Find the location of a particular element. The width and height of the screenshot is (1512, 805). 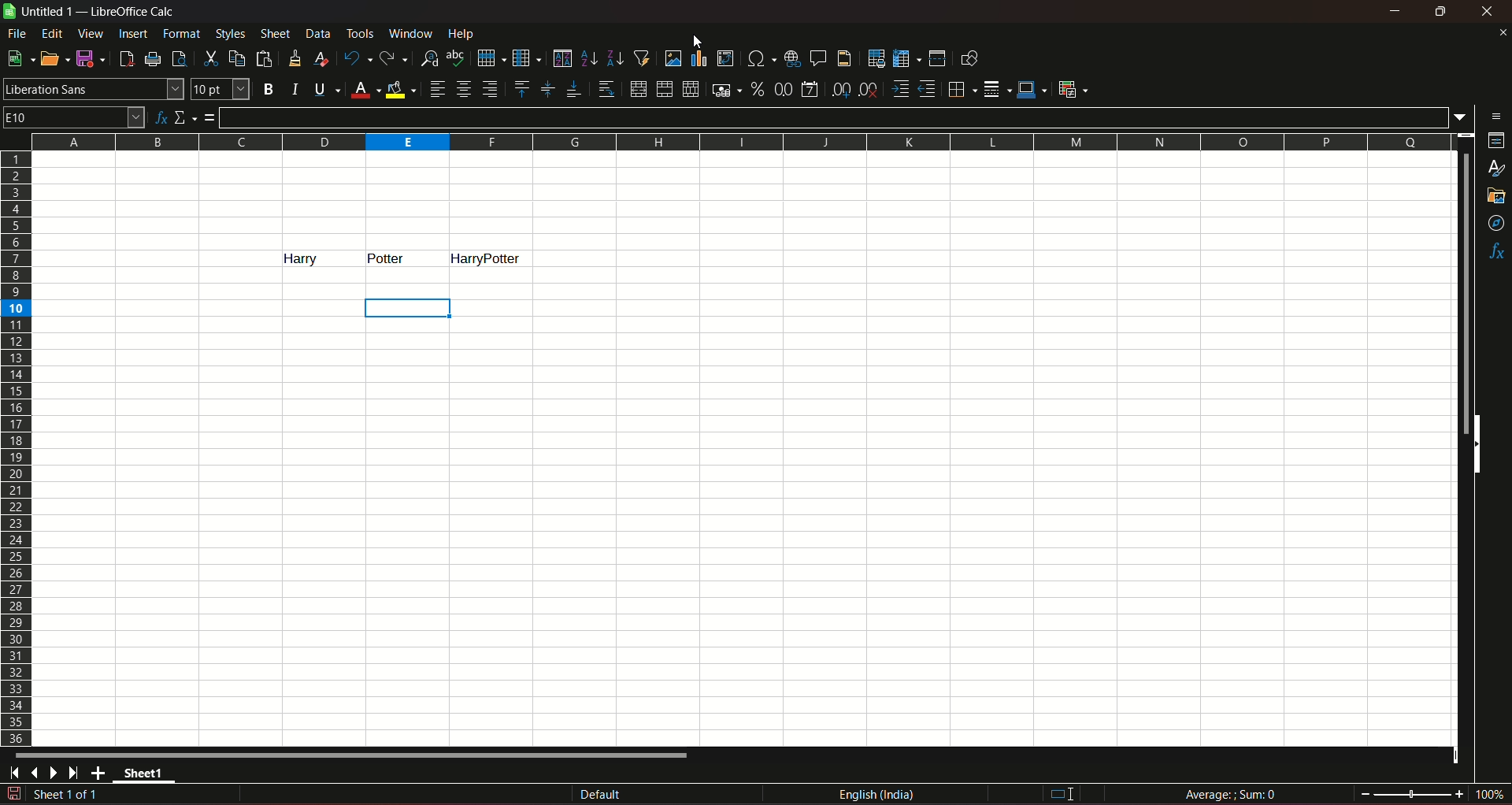

align right is located at coordinates (492, 89).